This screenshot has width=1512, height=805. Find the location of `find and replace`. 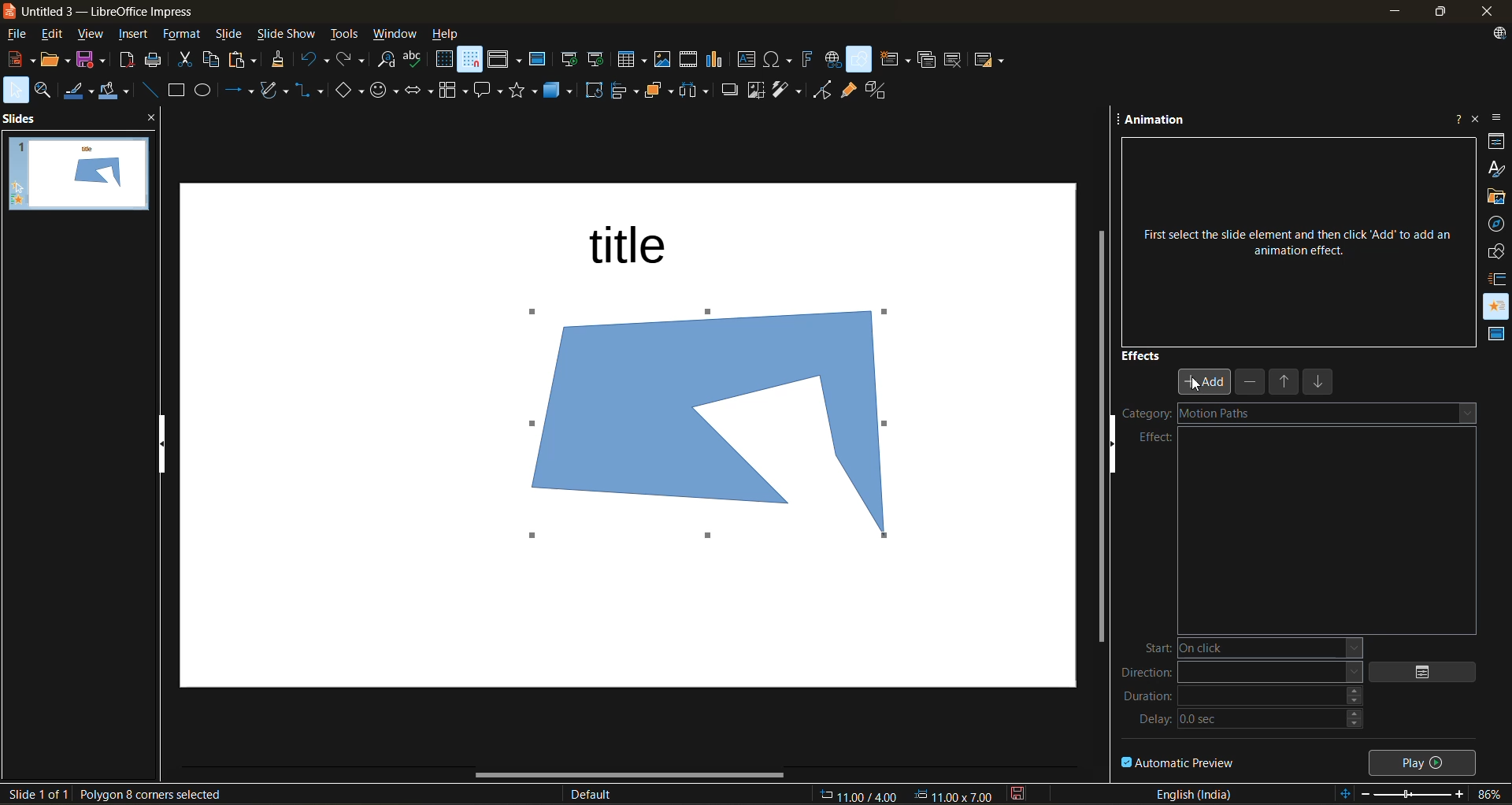

find and replace is located at coordinates (386, 61).